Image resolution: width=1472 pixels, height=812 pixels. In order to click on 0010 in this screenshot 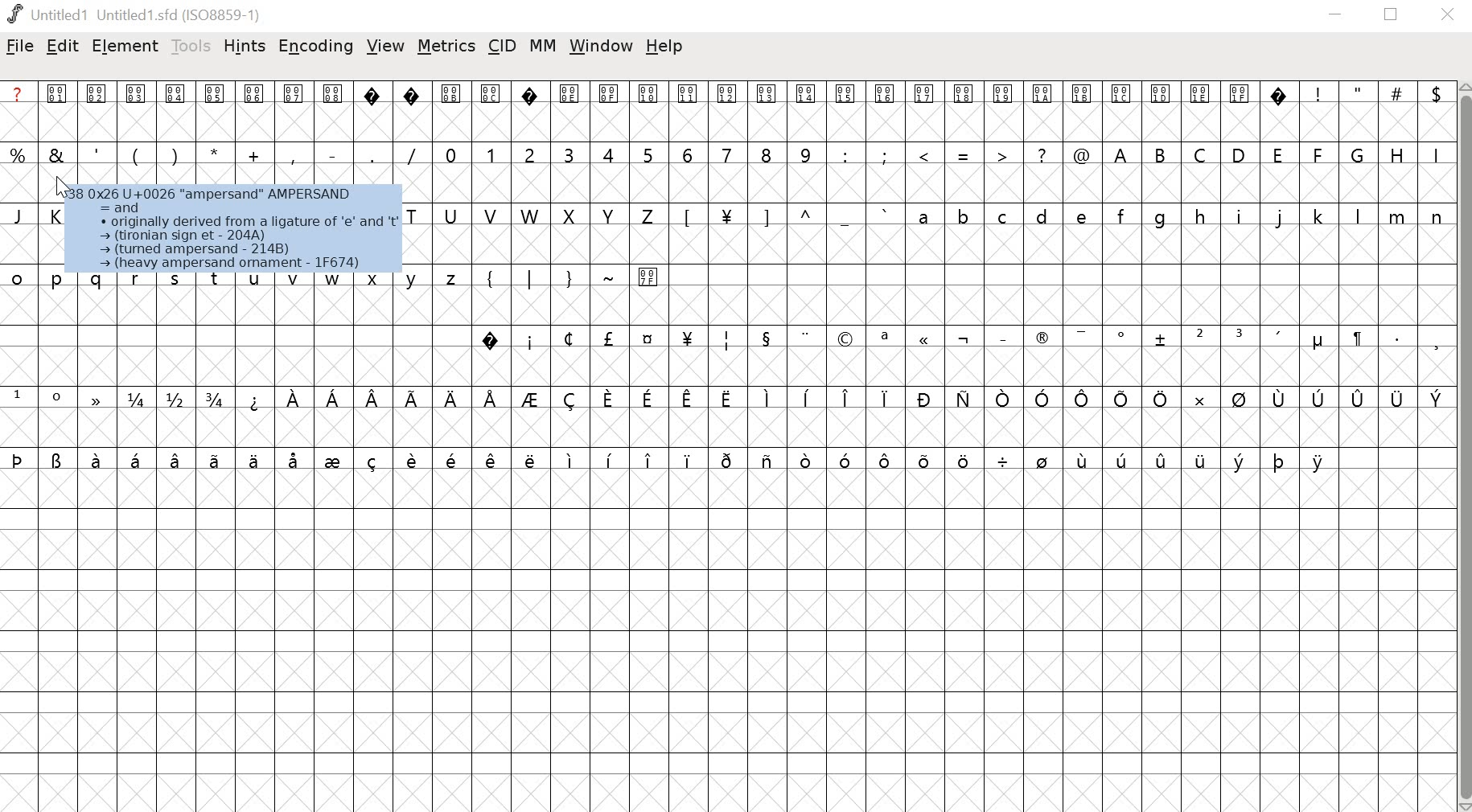, I will do `click(650, 109)`.